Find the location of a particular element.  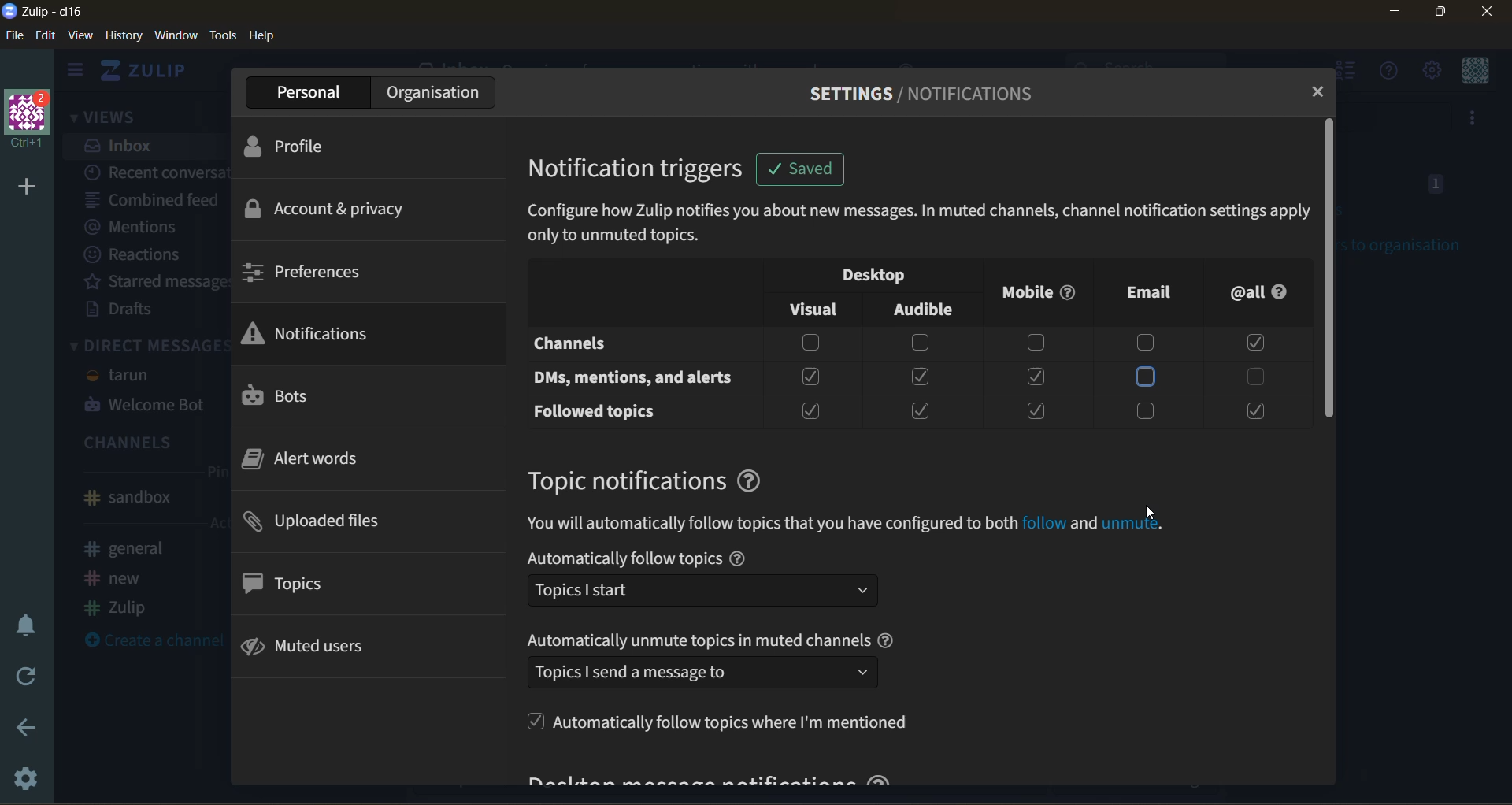

cursor is located at coordinates (1155, 514).